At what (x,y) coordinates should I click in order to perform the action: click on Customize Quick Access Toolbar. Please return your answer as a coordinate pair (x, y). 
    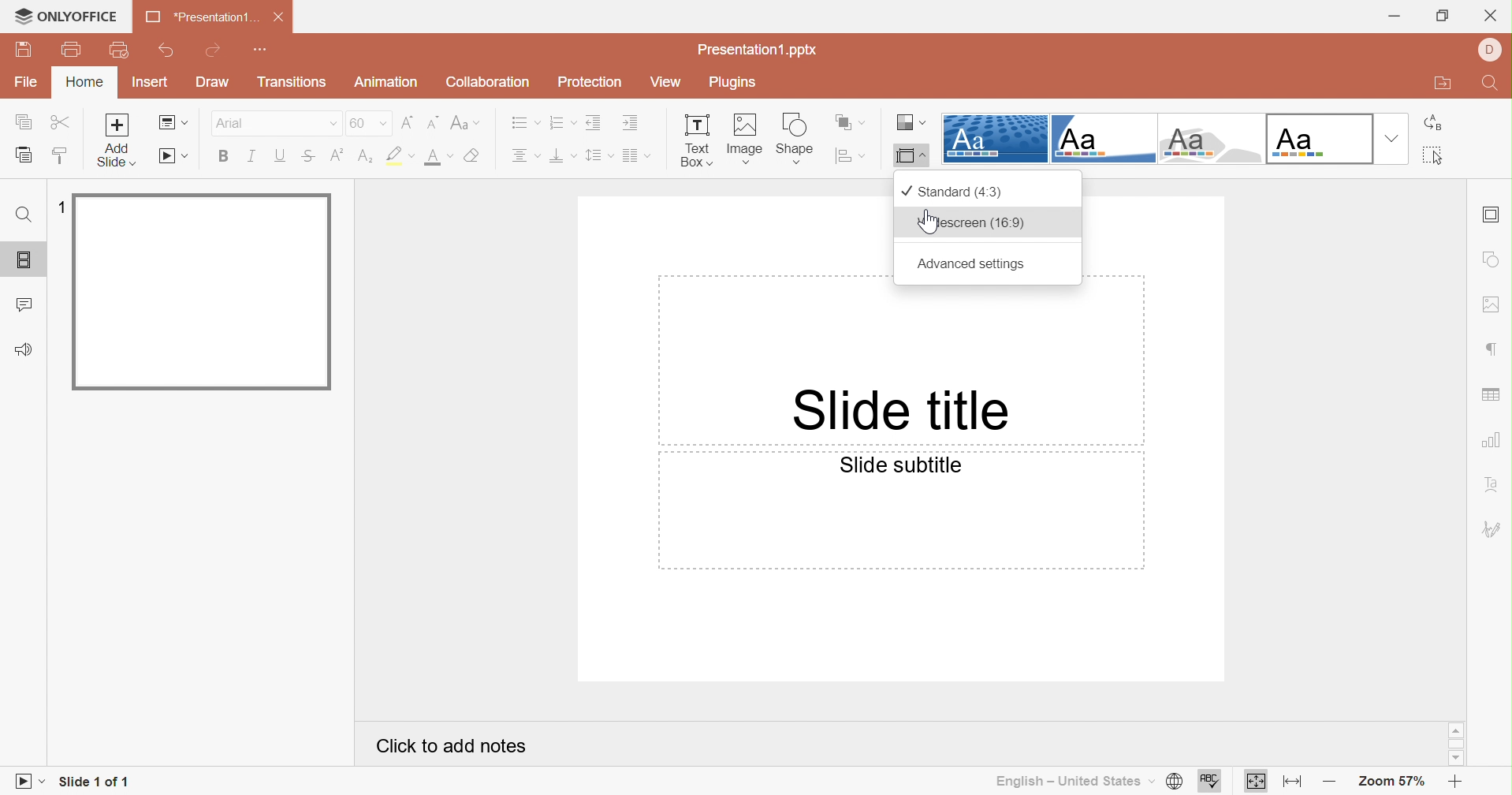
    Looking at the image, I should click on (263, 49).